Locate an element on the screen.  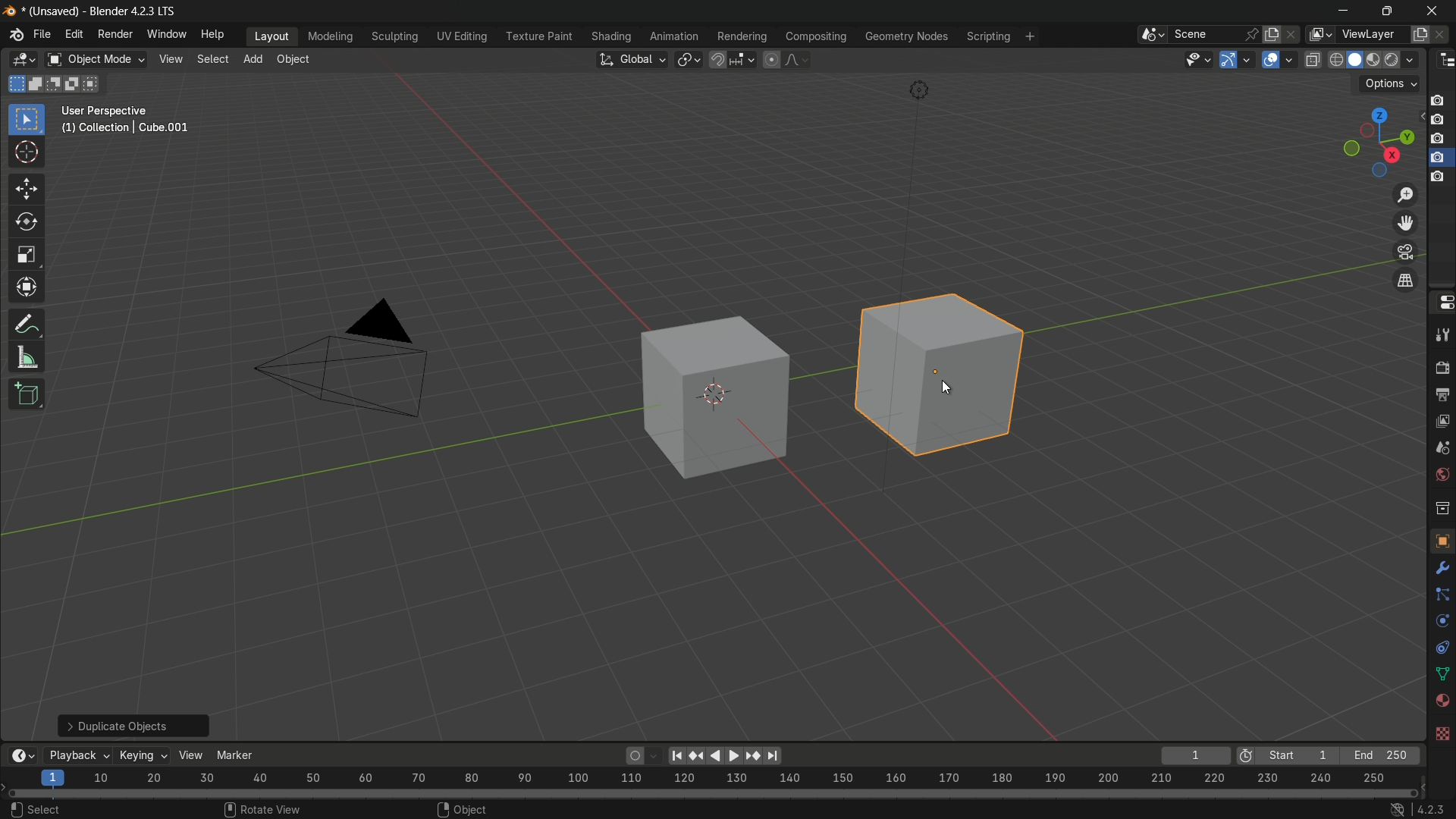
propotional editing object is located at coordinates (772, 58).